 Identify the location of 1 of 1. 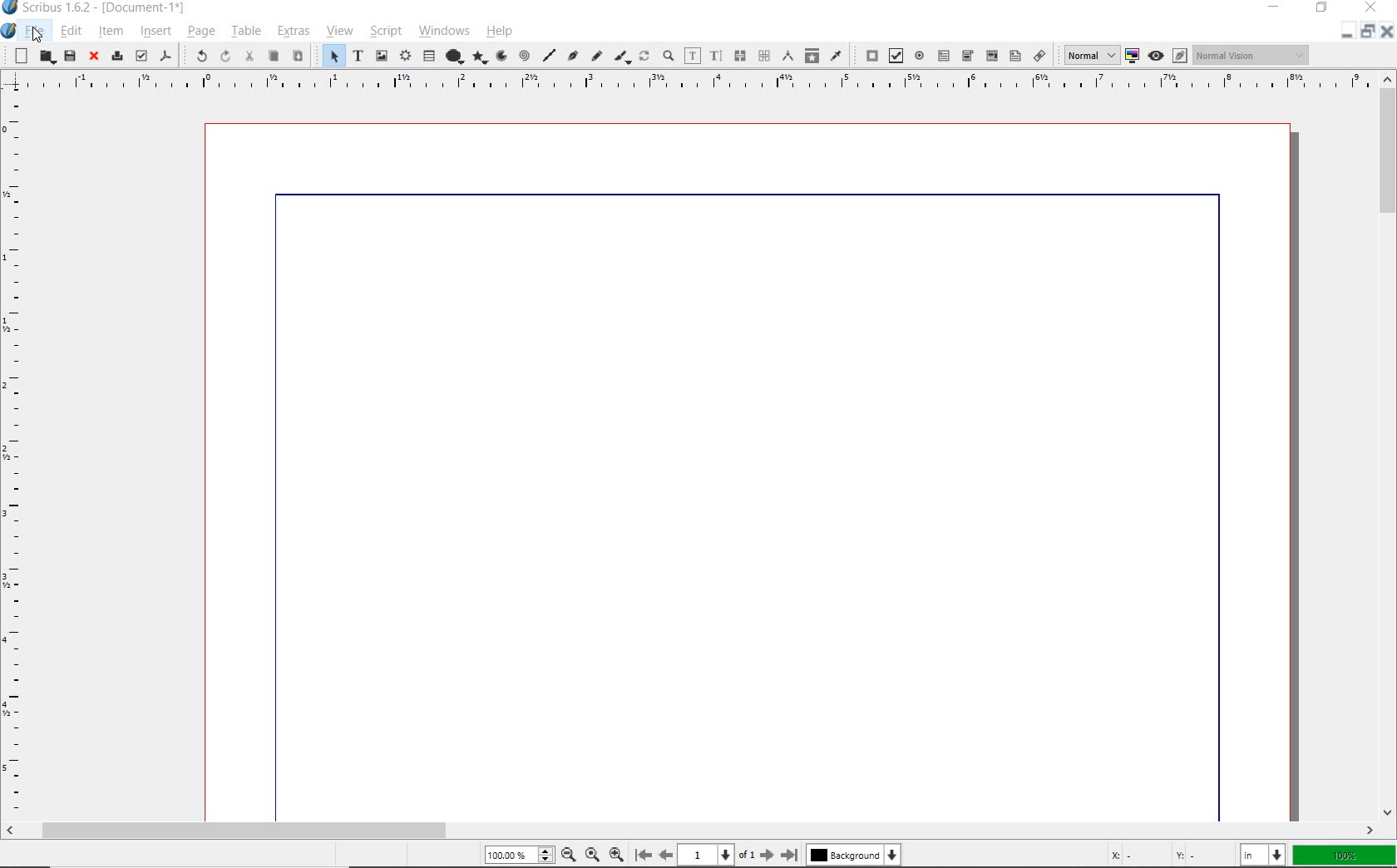
(717, 856).